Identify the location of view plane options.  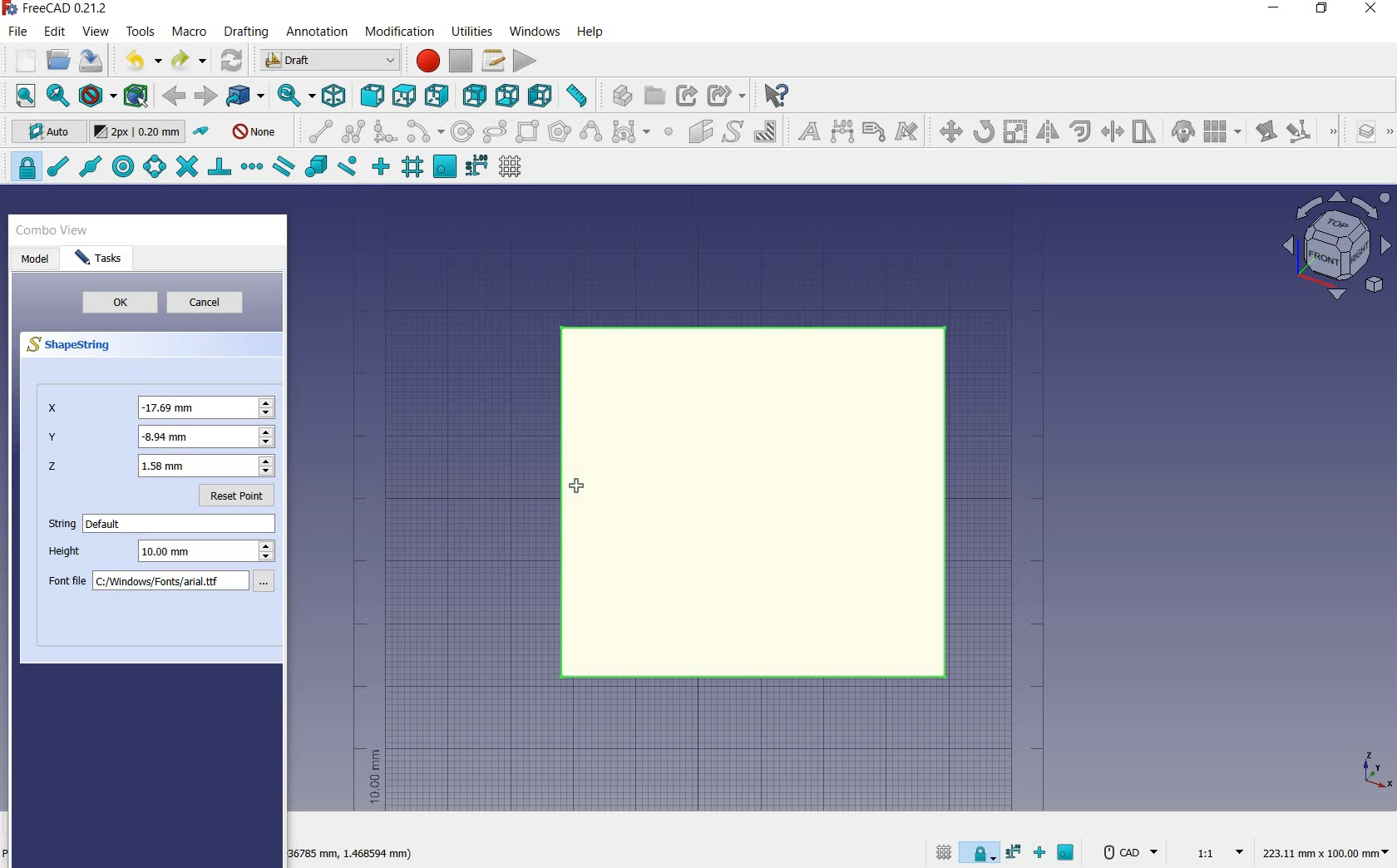
(1337, 248).